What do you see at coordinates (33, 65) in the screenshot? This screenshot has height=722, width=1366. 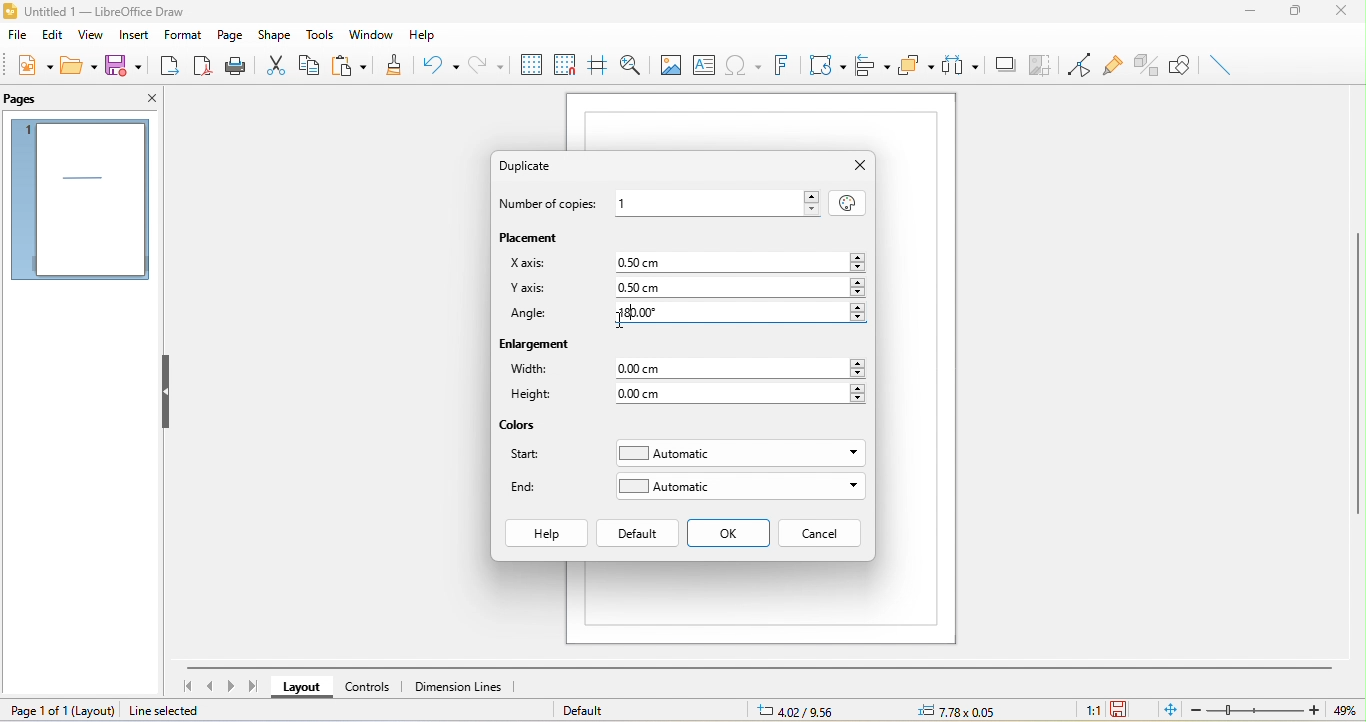 I see `new` at bounding box center [33, 65].